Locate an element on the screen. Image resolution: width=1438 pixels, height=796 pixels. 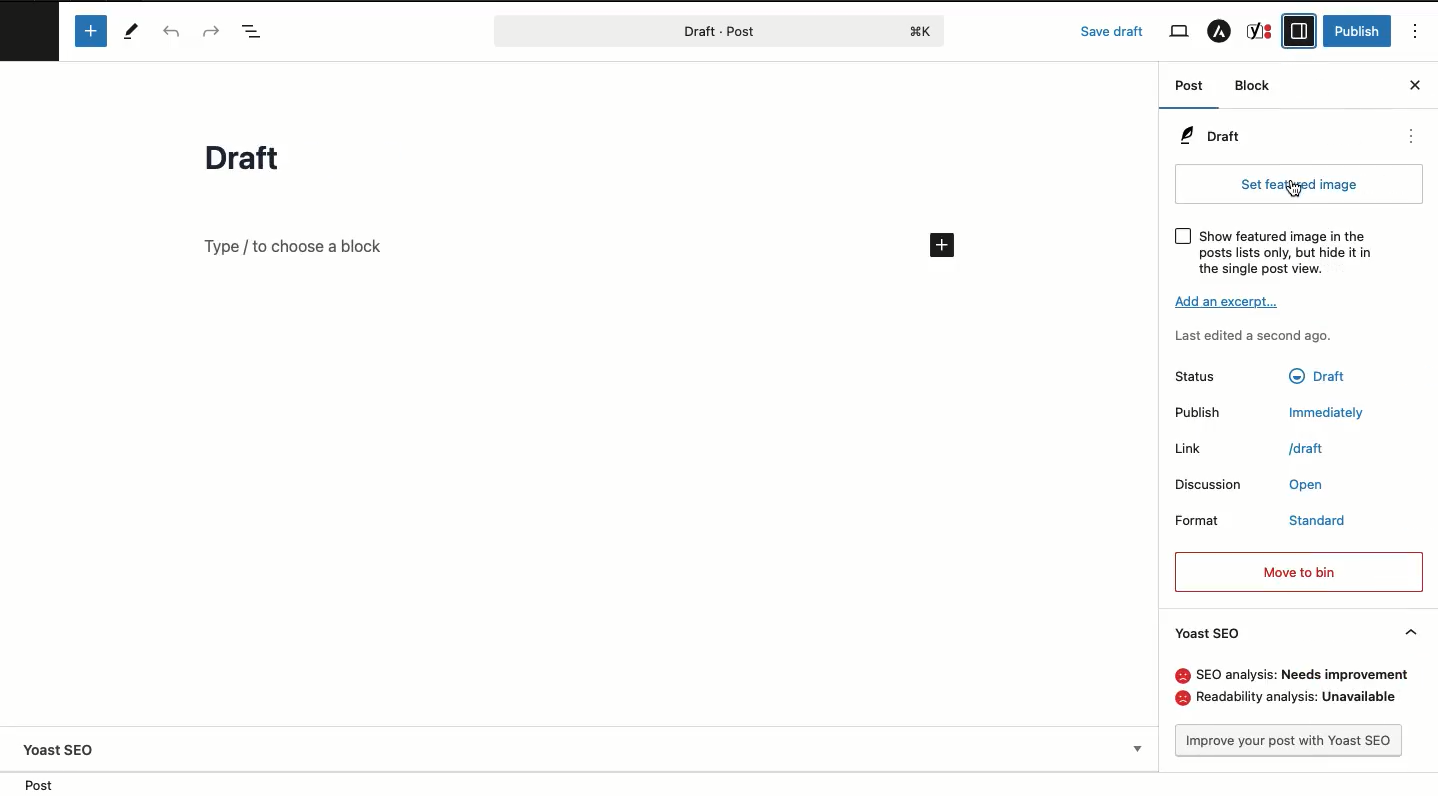
add is located at coordinates (941, 244).